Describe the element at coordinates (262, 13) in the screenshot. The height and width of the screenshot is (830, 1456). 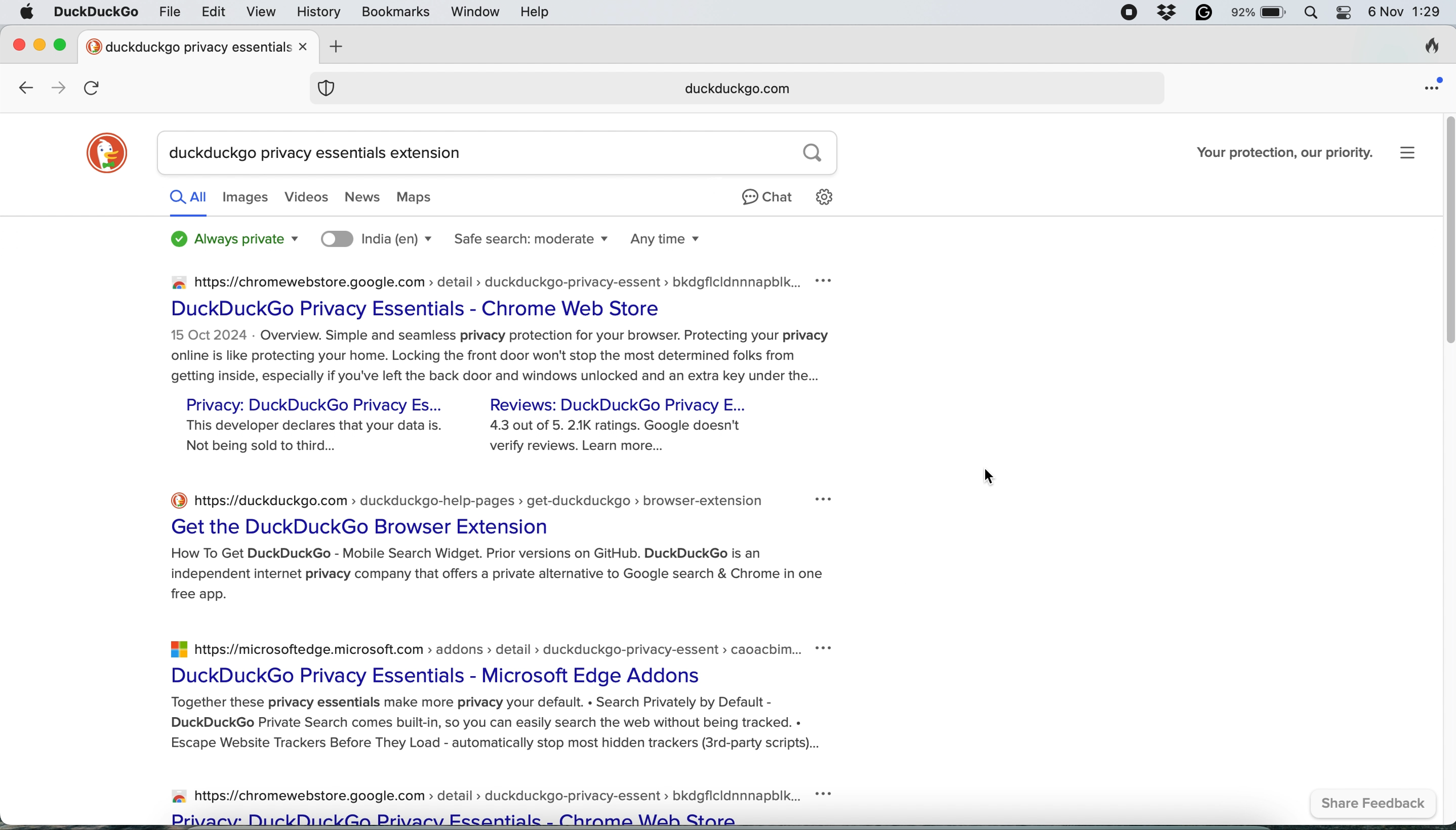
I see `view` at that location.